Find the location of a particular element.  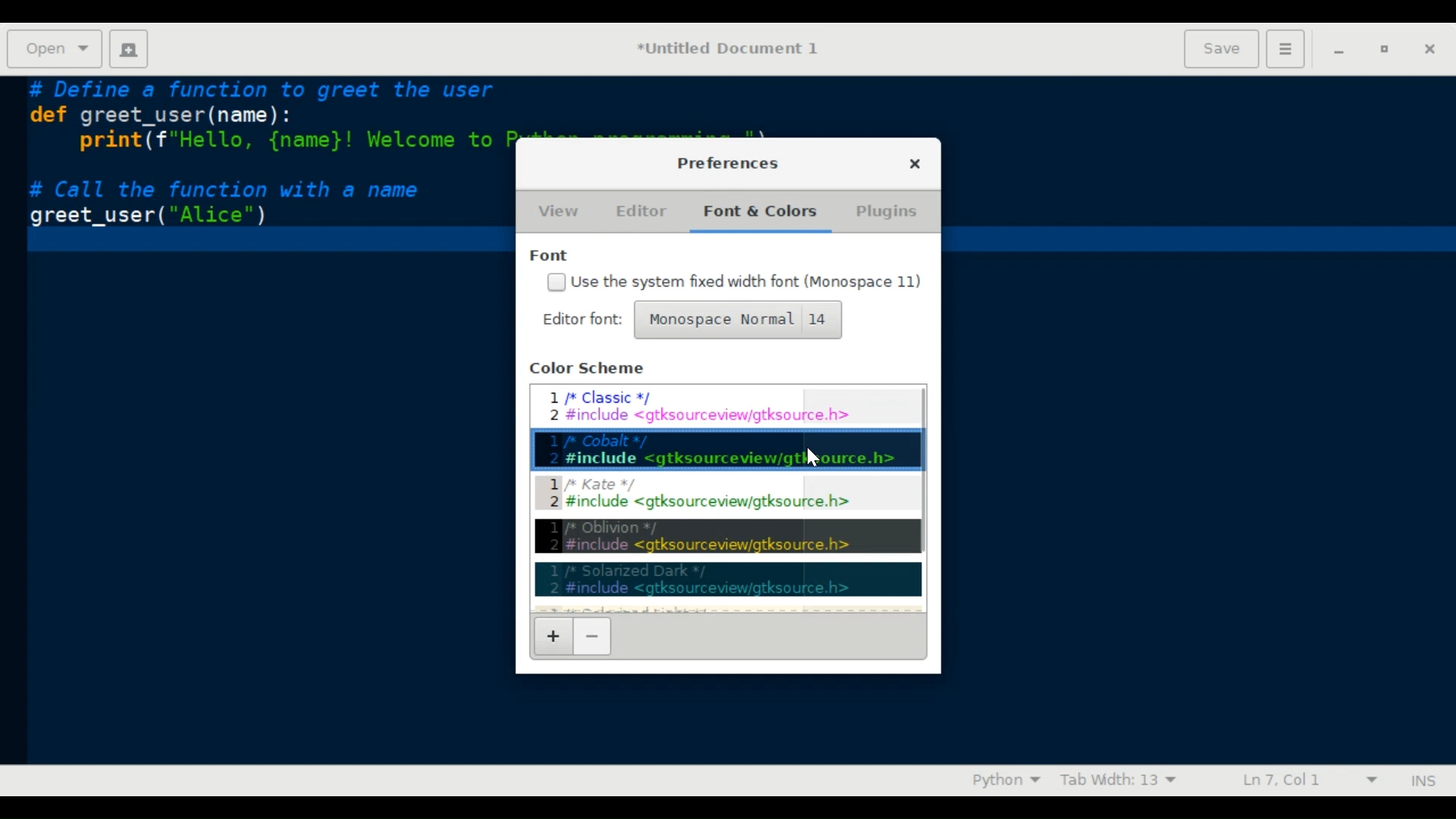

Save is located at coordinates (1223, 48).